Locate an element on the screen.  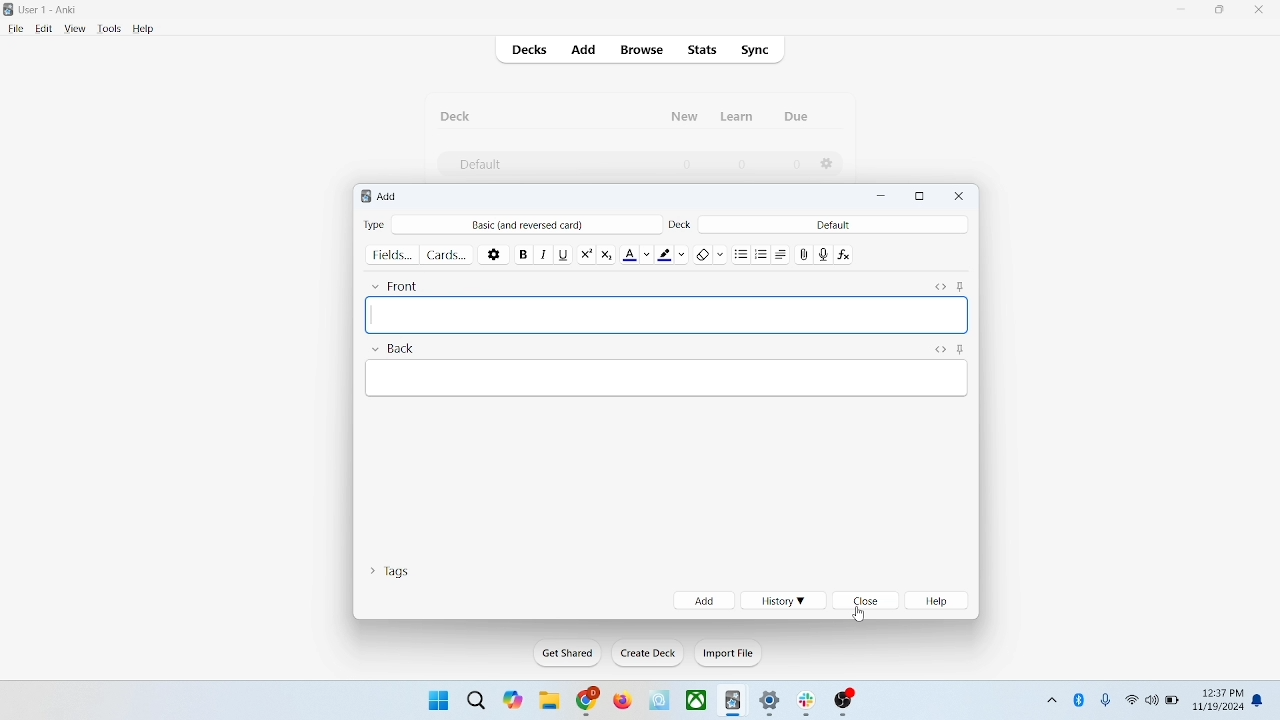
x-box is located at coordinates (697, 700).